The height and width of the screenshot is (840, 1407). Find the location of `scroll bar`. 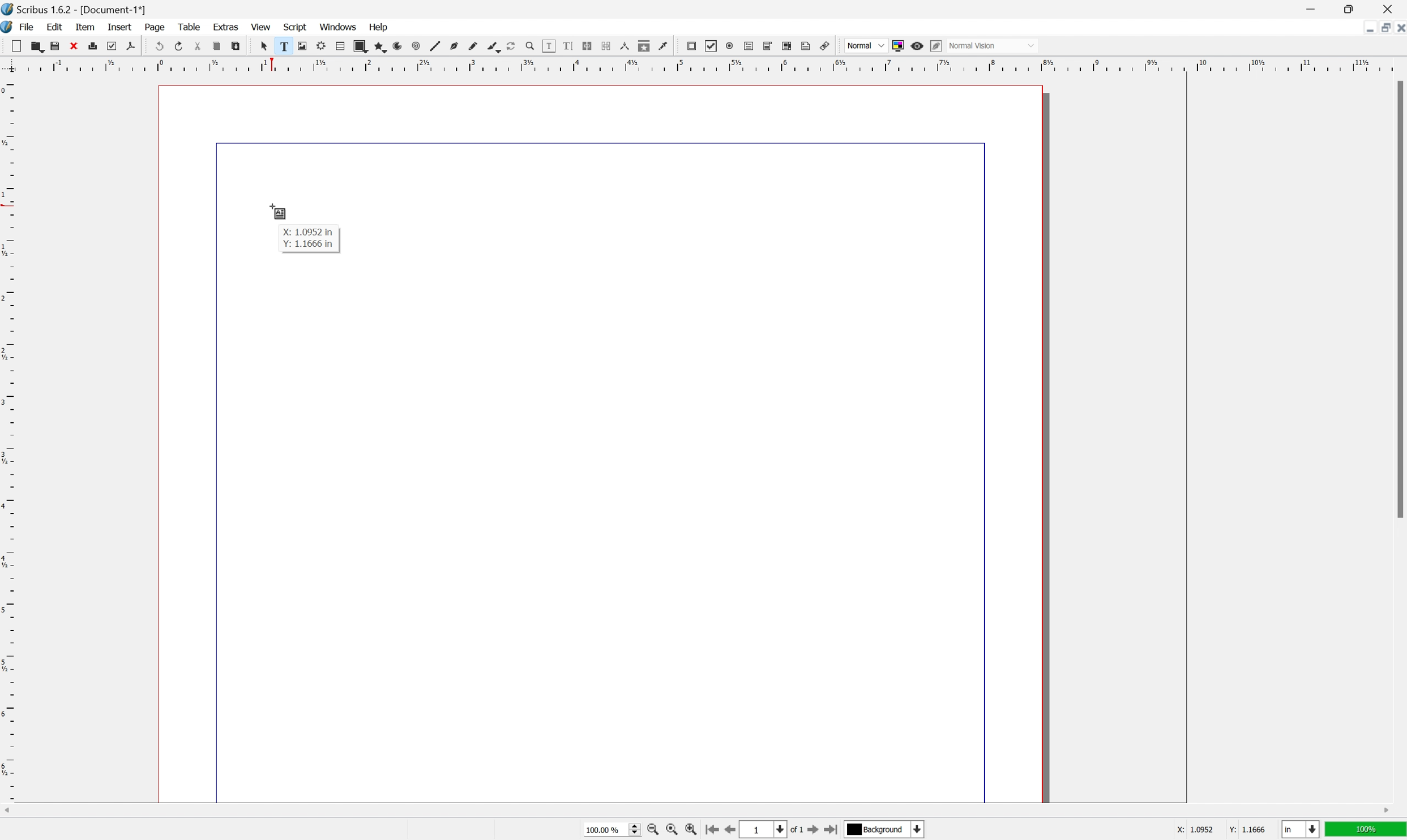

scroll bar is located at coordinates (696, 811).